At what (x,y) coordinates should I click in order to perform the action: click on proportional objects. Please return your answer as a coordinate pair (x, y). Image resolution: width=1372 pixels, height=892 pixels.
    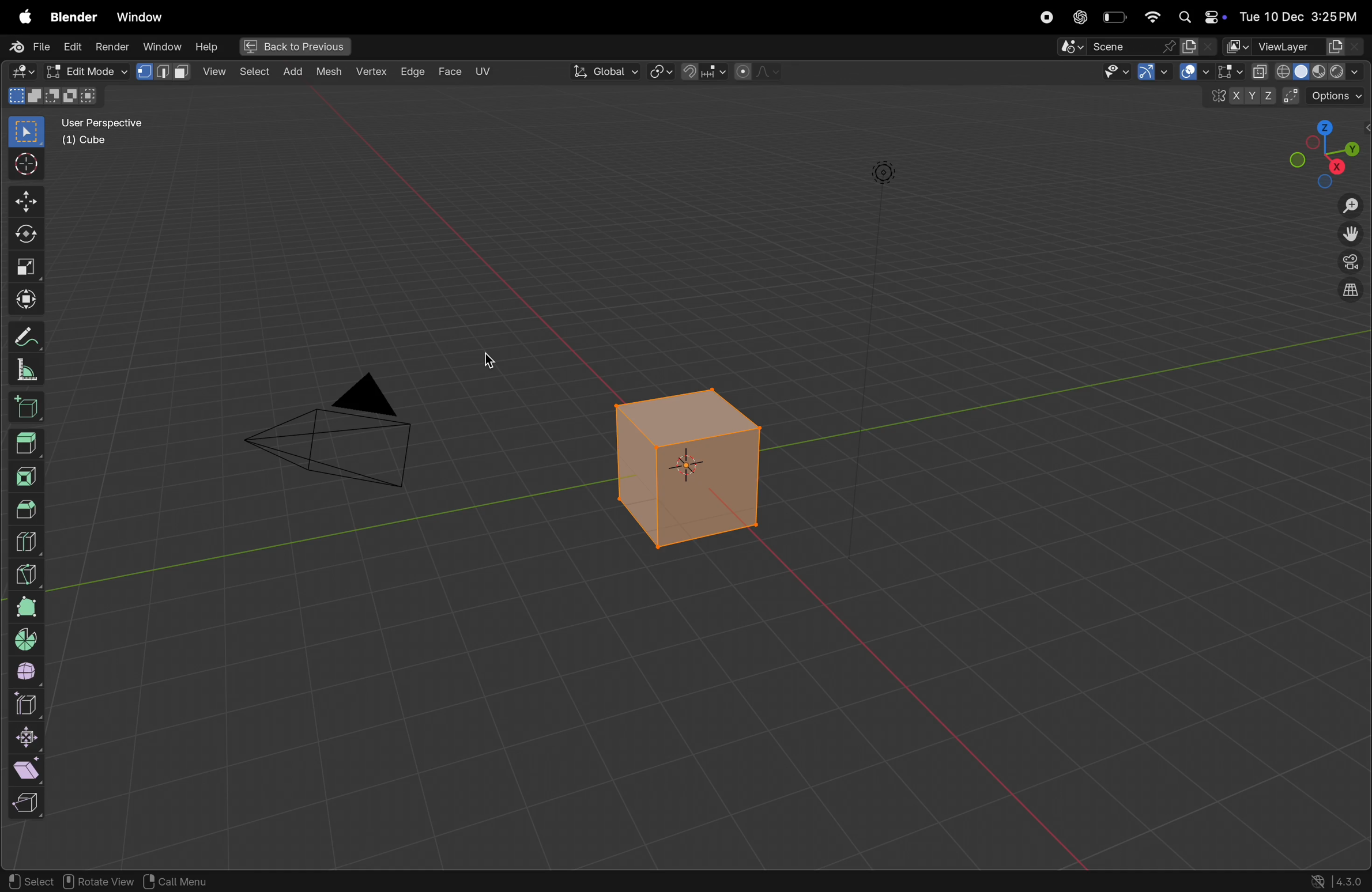
    Looking at the image, I should click on (758, 72).